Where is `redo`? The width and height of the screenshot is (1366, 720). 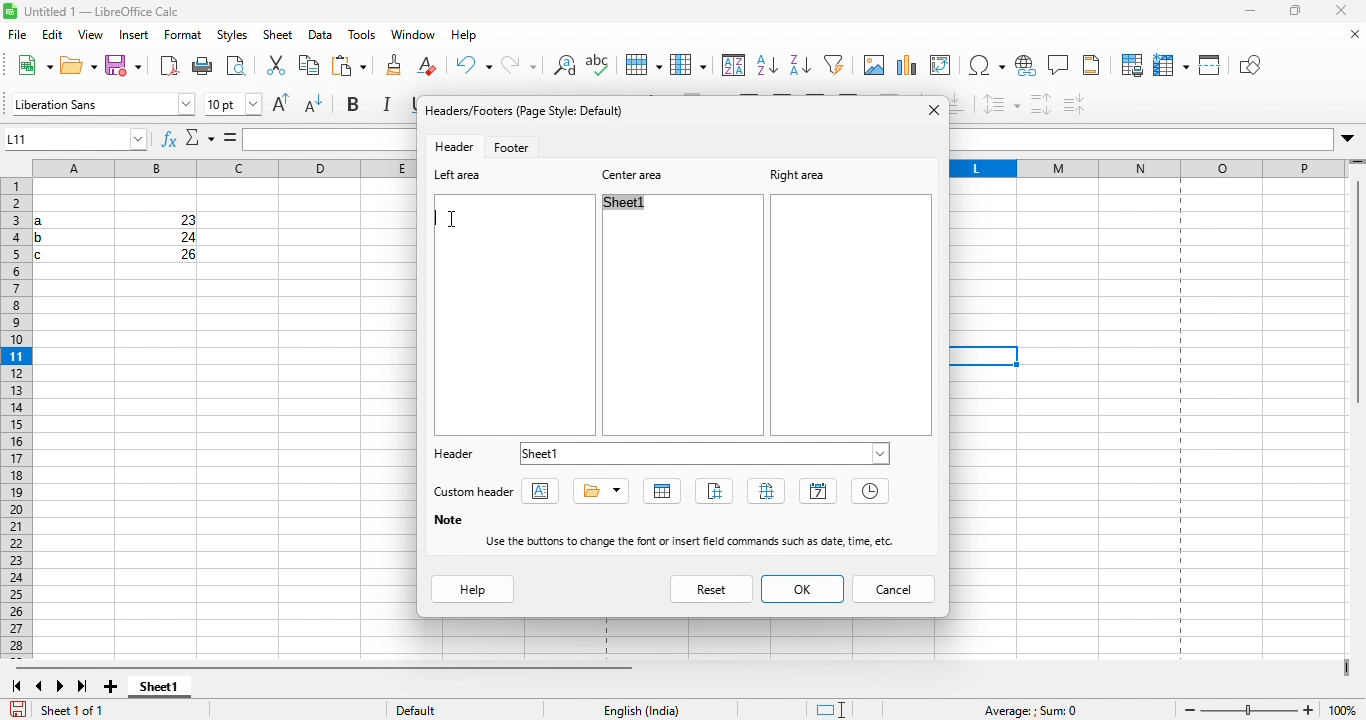
redo is located at coordinates (477, 66).